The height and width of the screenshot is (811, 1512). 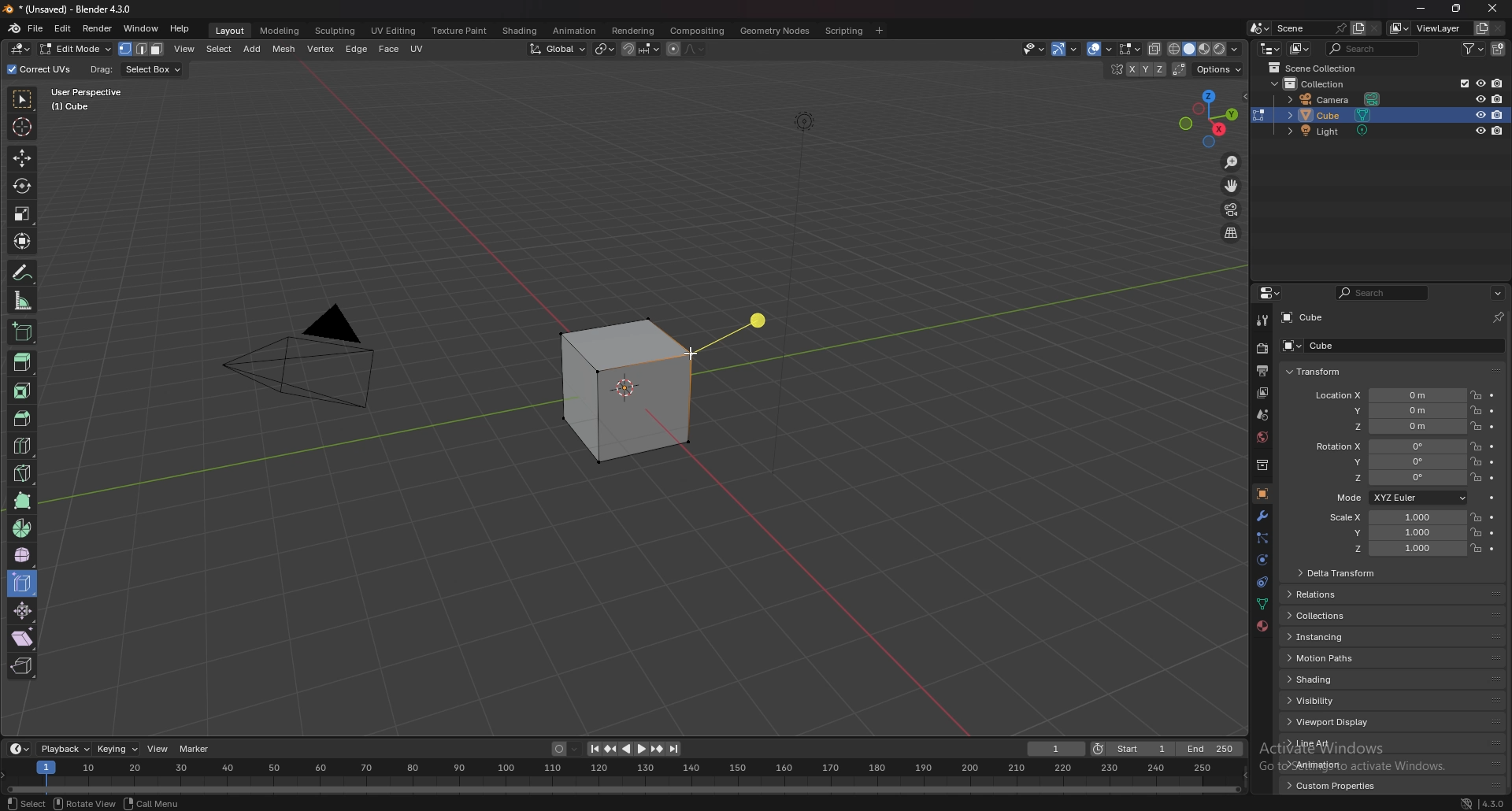 What do you see at coordinates (1058, 50) in the screenshot?
I see `selectibility and visibility` at bounding box center [1058, 50].